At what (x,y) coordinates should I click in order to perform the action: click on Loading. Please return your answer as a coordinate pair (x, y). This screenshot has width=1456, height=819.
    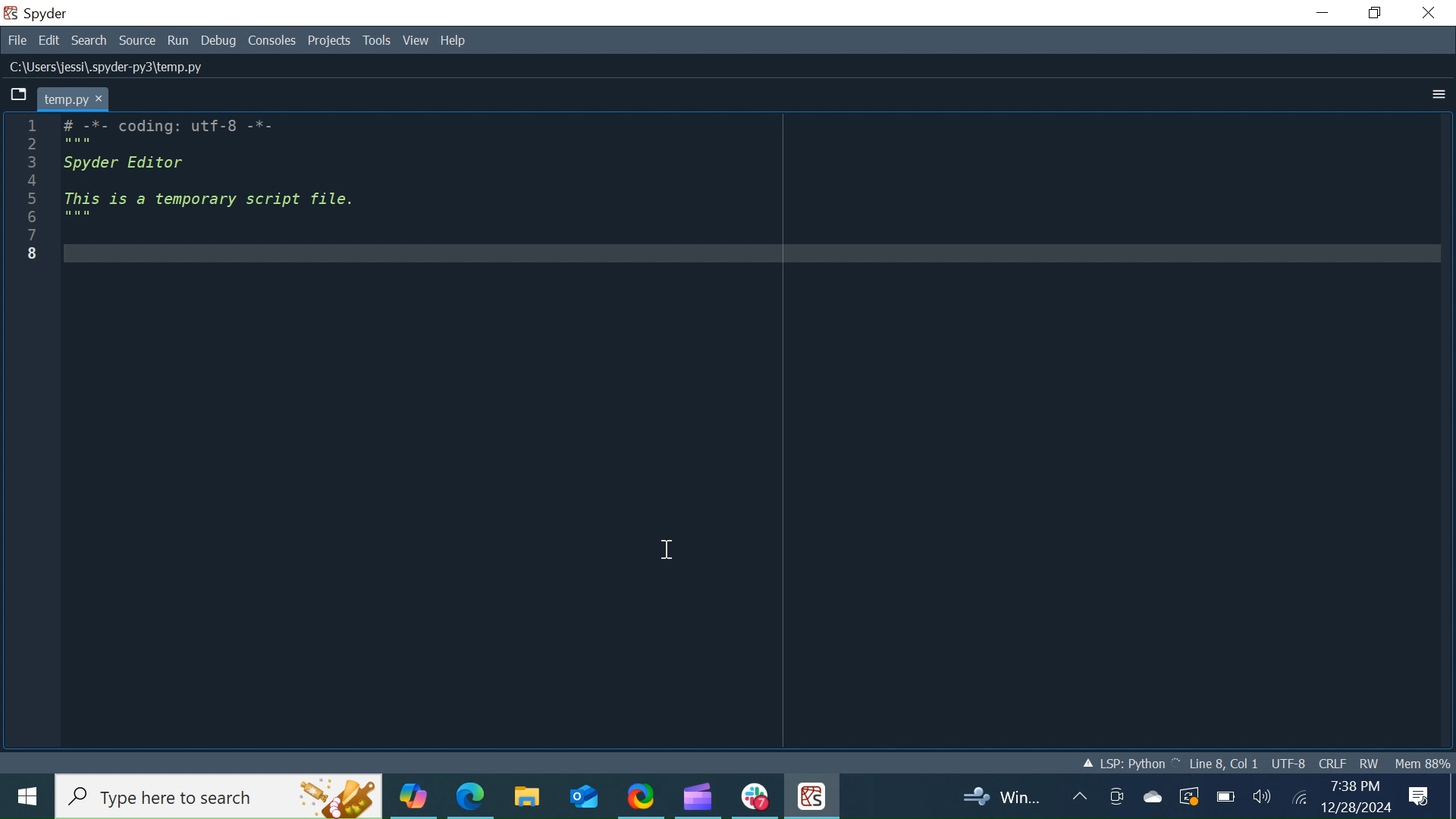
    Looking at the image, I should click on (1084, 763).